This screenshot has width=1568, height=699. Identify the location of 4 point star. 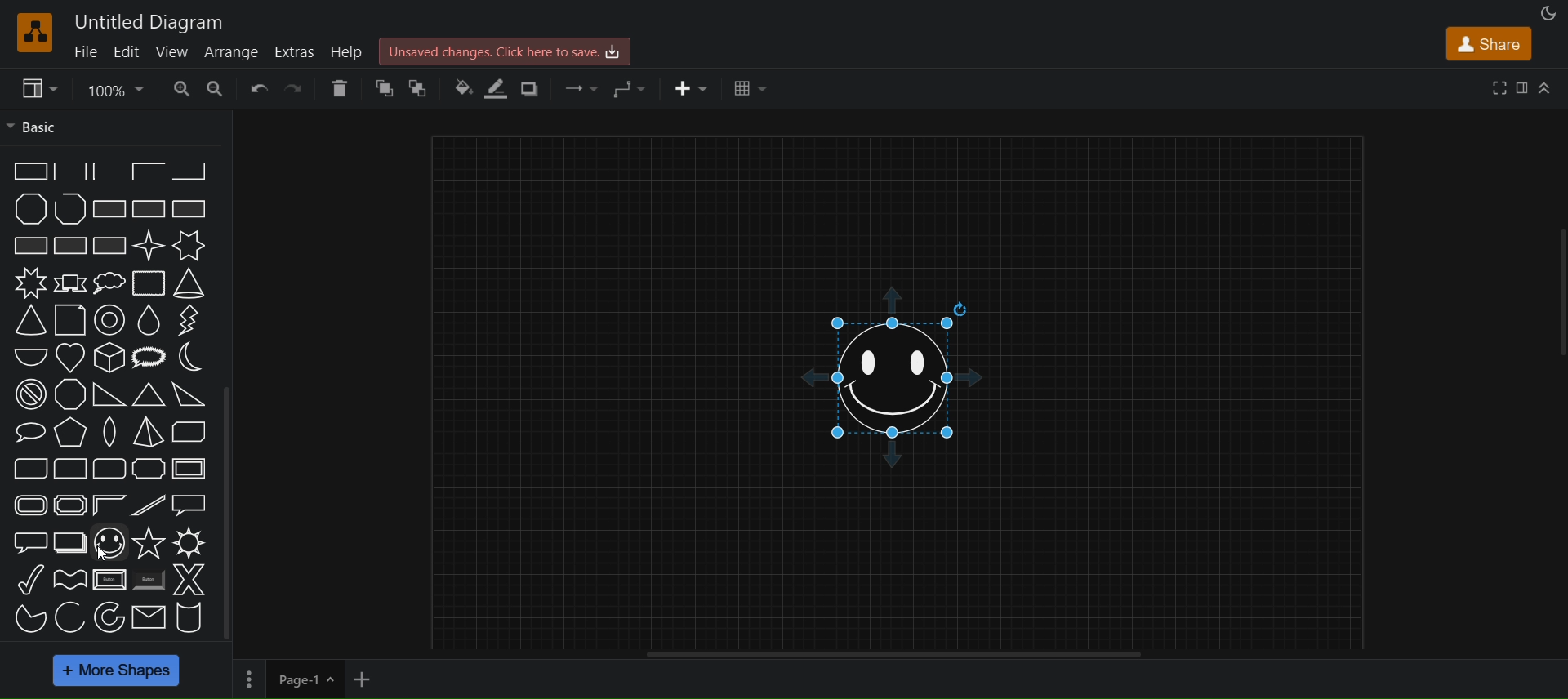
(148, 246).